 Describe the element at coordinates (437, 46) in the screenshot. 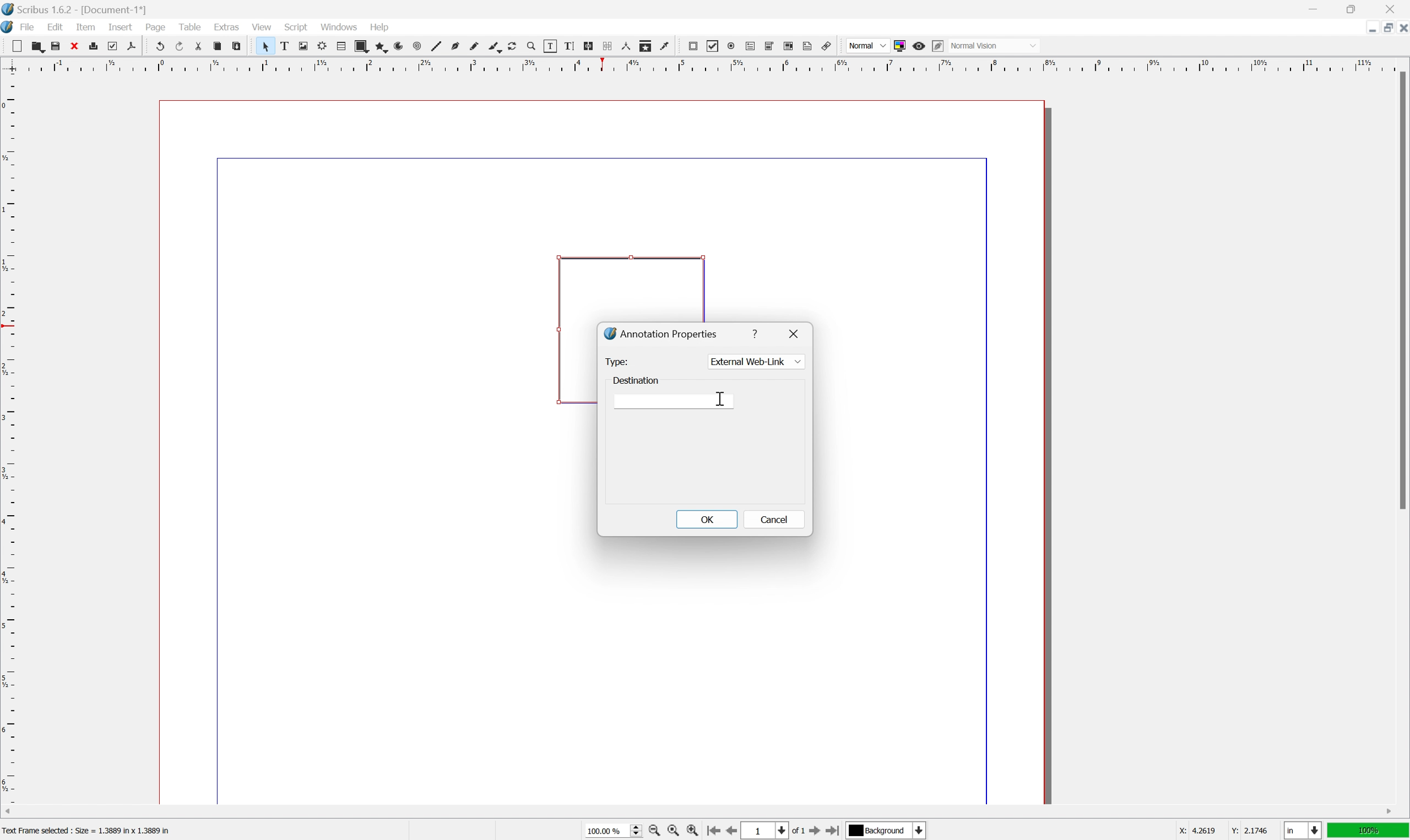

I see `line` at that location.